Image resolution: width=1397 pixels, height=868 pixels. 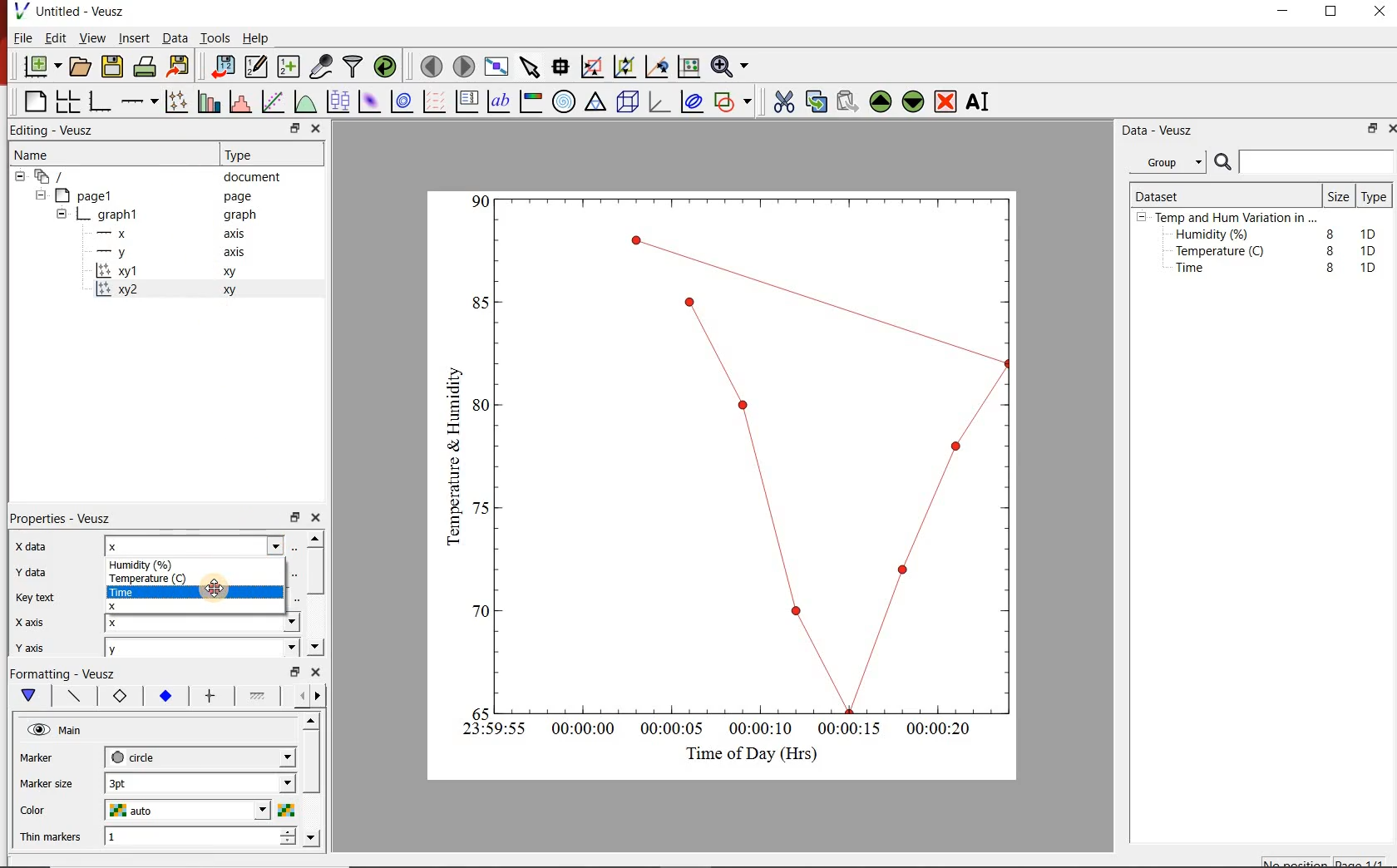 What do you see at coordinates (321, 696) in the screenshot?
I see `go forward` at bounding box center [321, 696].